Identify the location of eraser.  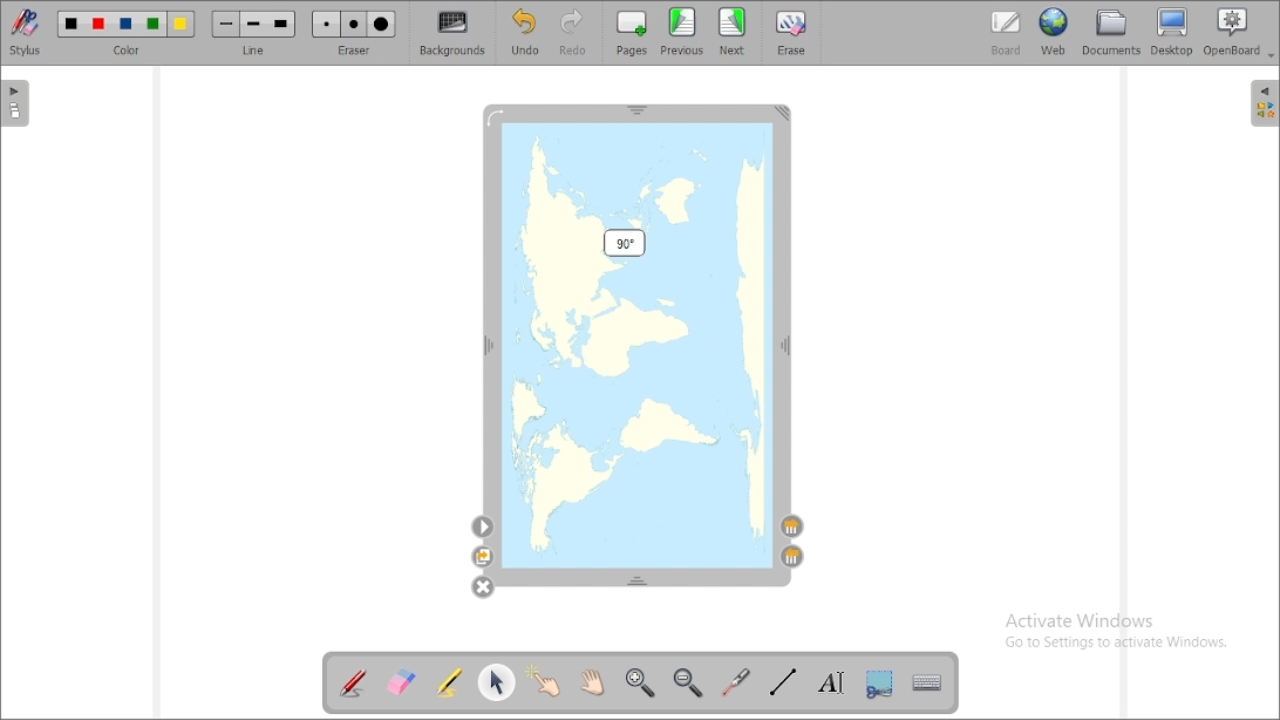
(354, 33).